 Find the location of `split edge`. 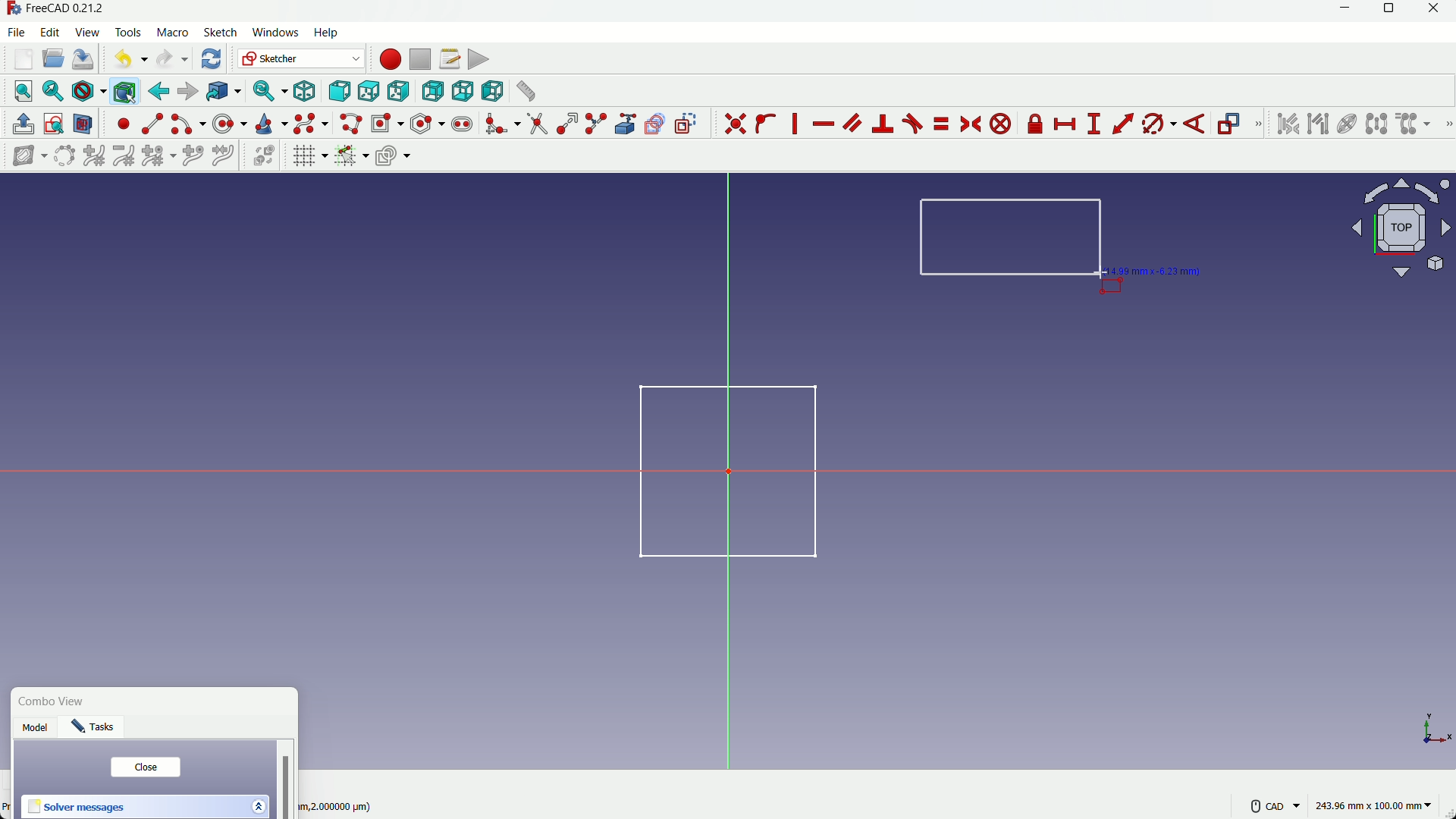

split edge is located at coordinates (598, 124).